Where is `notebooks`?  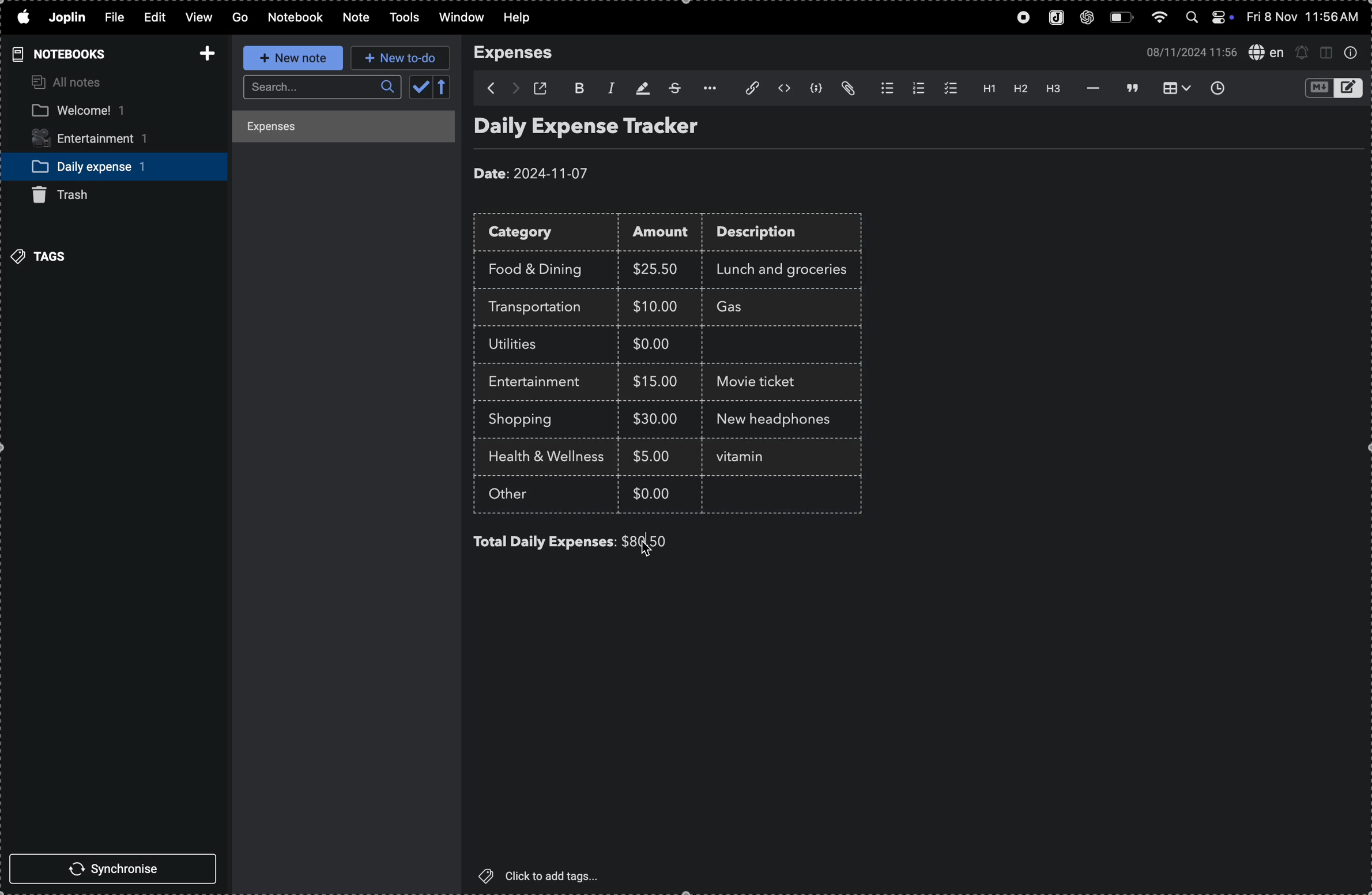
notebooks is located at coordinates (56, 54).